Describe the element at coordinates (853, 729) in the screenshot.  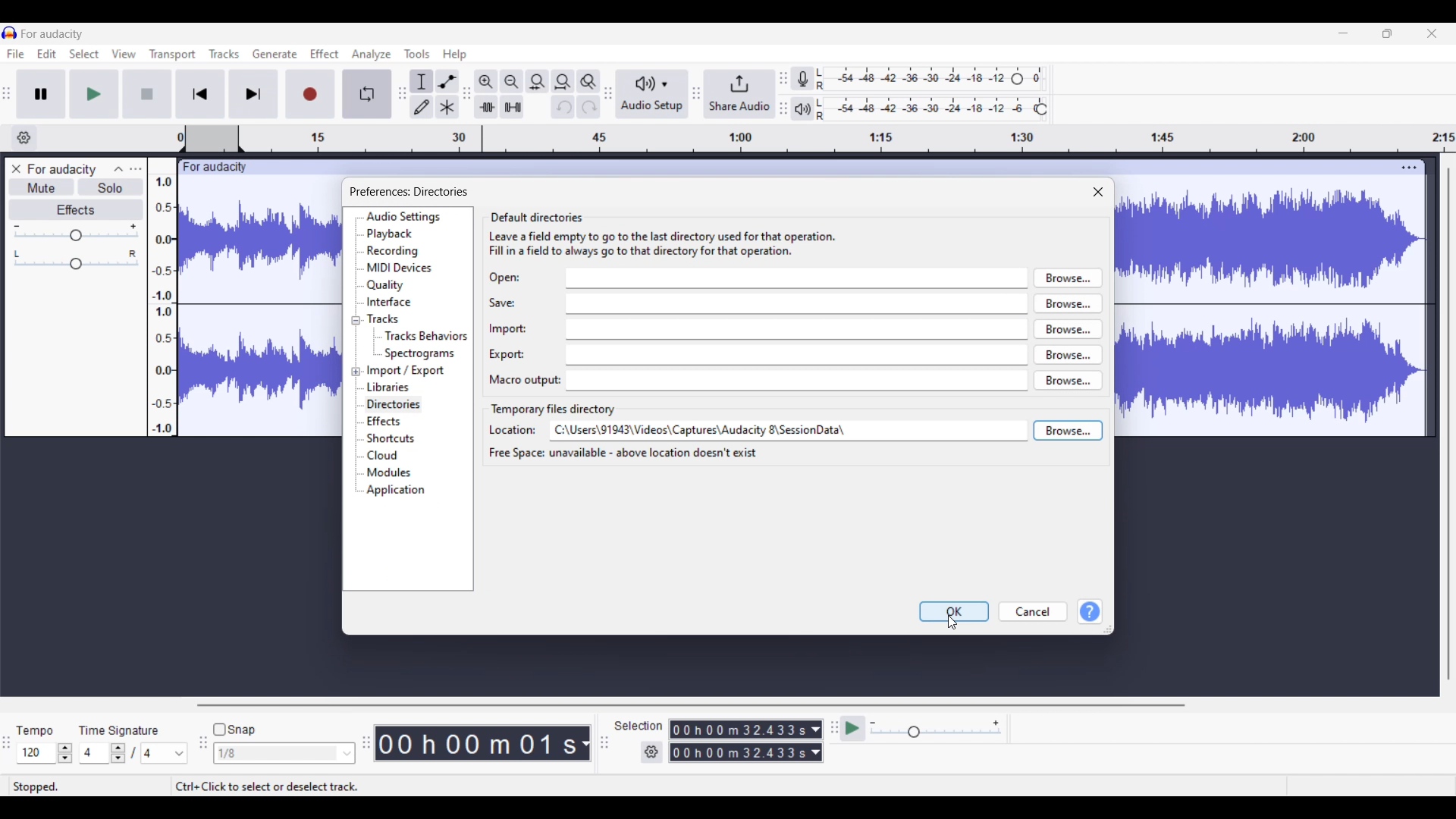
I see `Play at speed/Play at speed once` at that location.